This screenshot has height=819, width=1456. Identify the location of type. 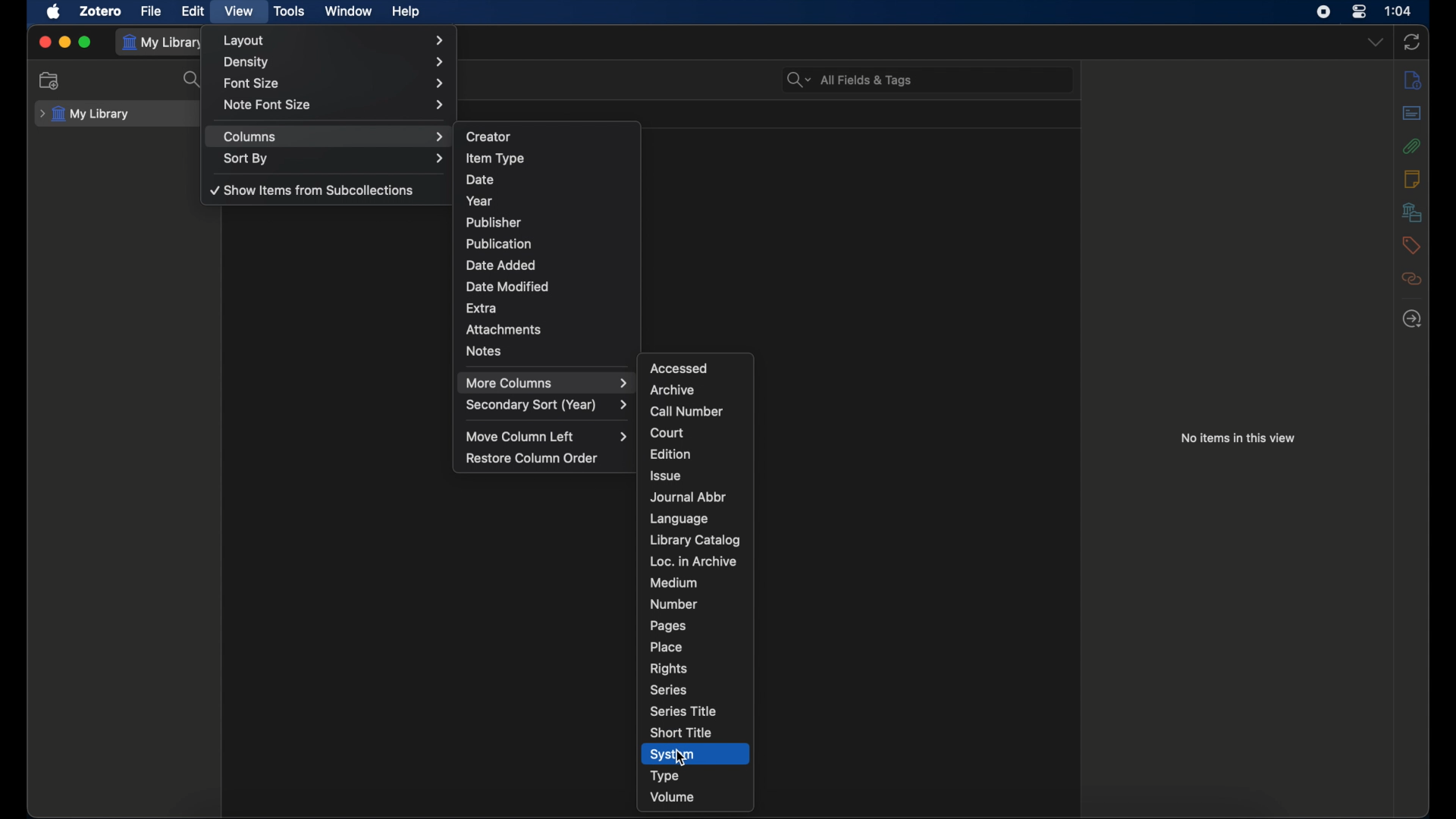
(666, 777).